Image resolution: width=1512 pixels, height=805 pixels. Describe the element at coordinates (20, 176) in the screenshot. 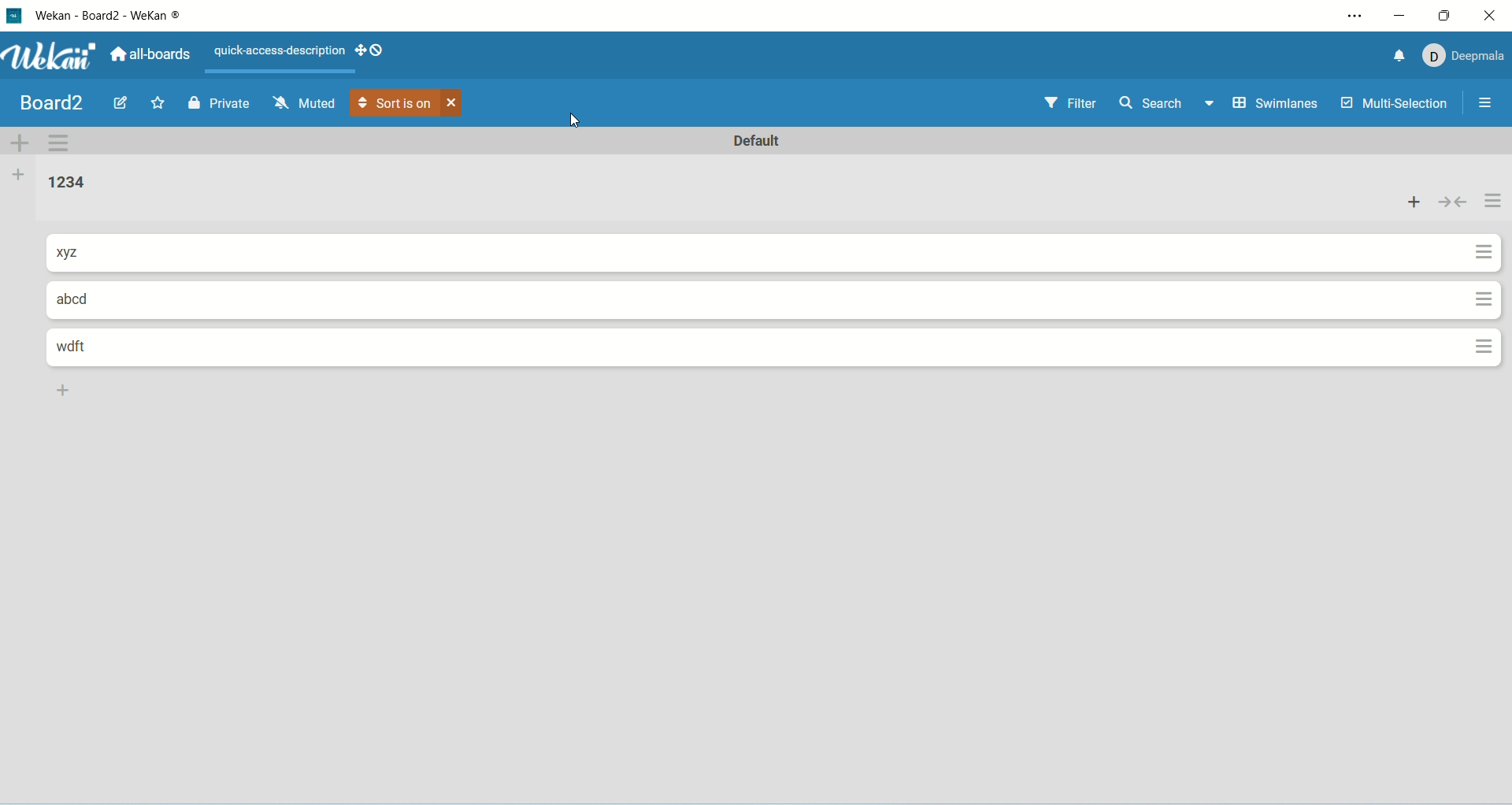

I see `add list` at that location.